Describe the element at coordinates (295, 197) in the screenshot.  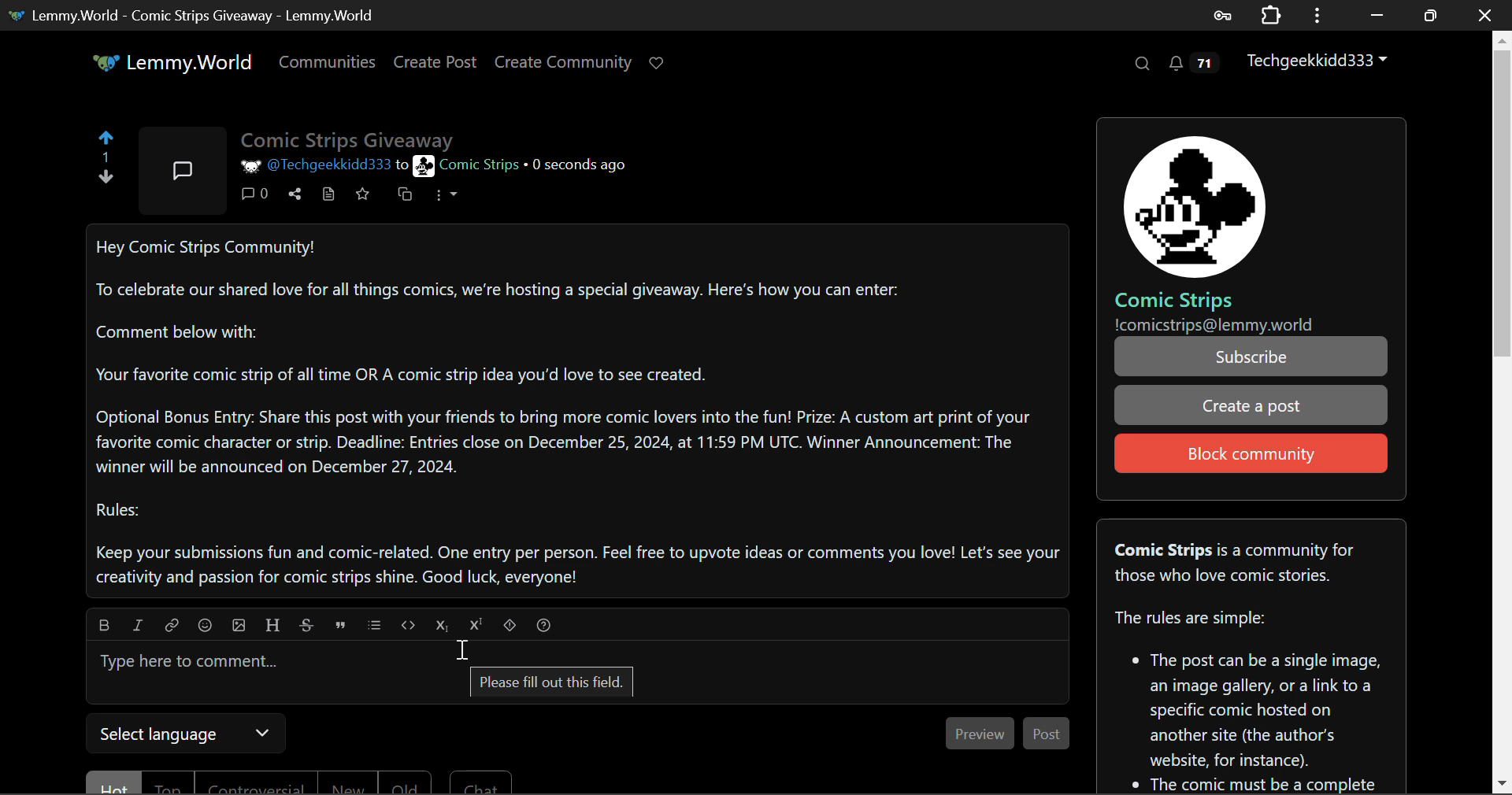
I see `Share` at that location.